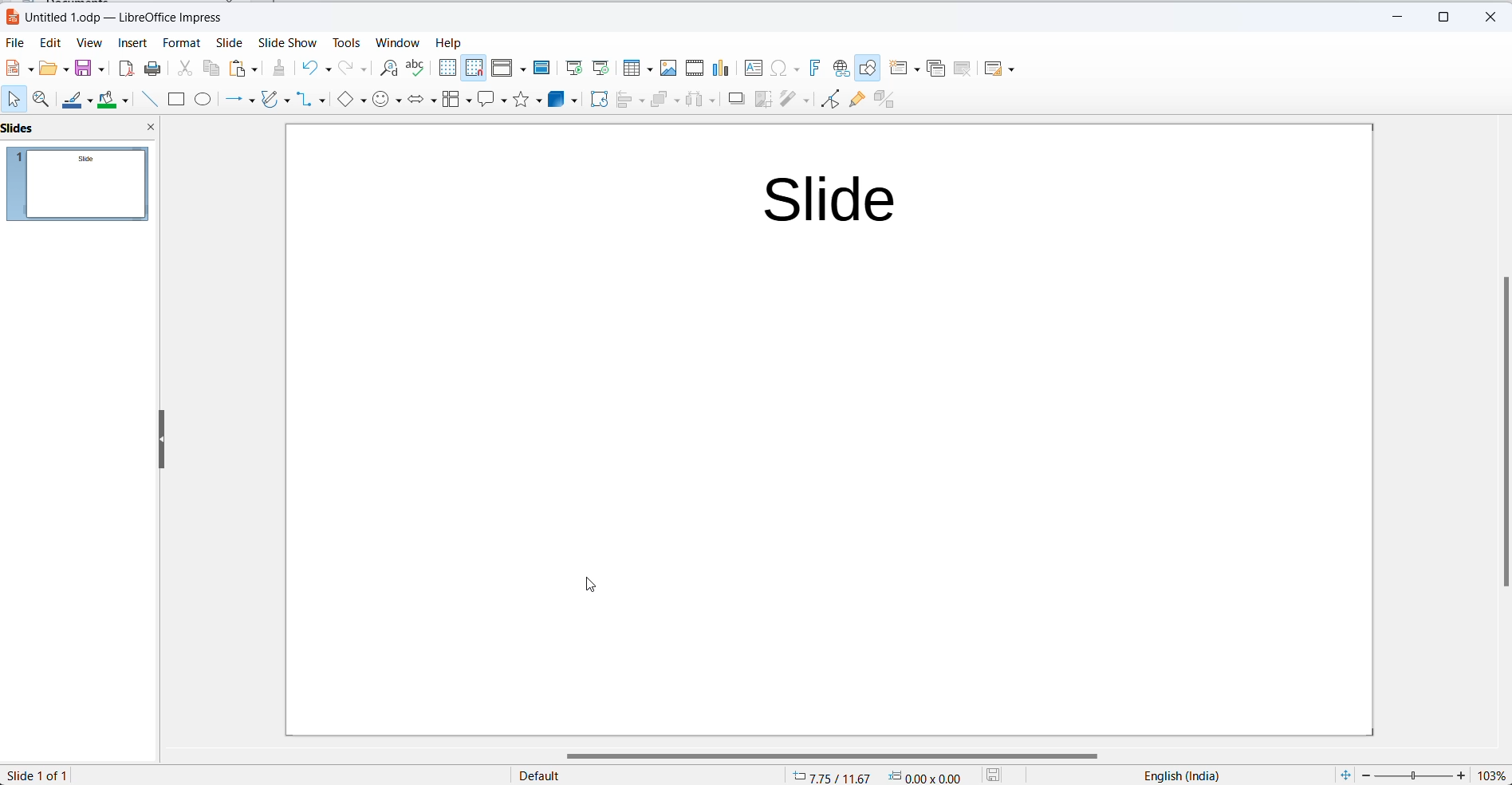 This screenshot has height=785, width=1512. I want to click on Export as PDF, so click(123, 69).